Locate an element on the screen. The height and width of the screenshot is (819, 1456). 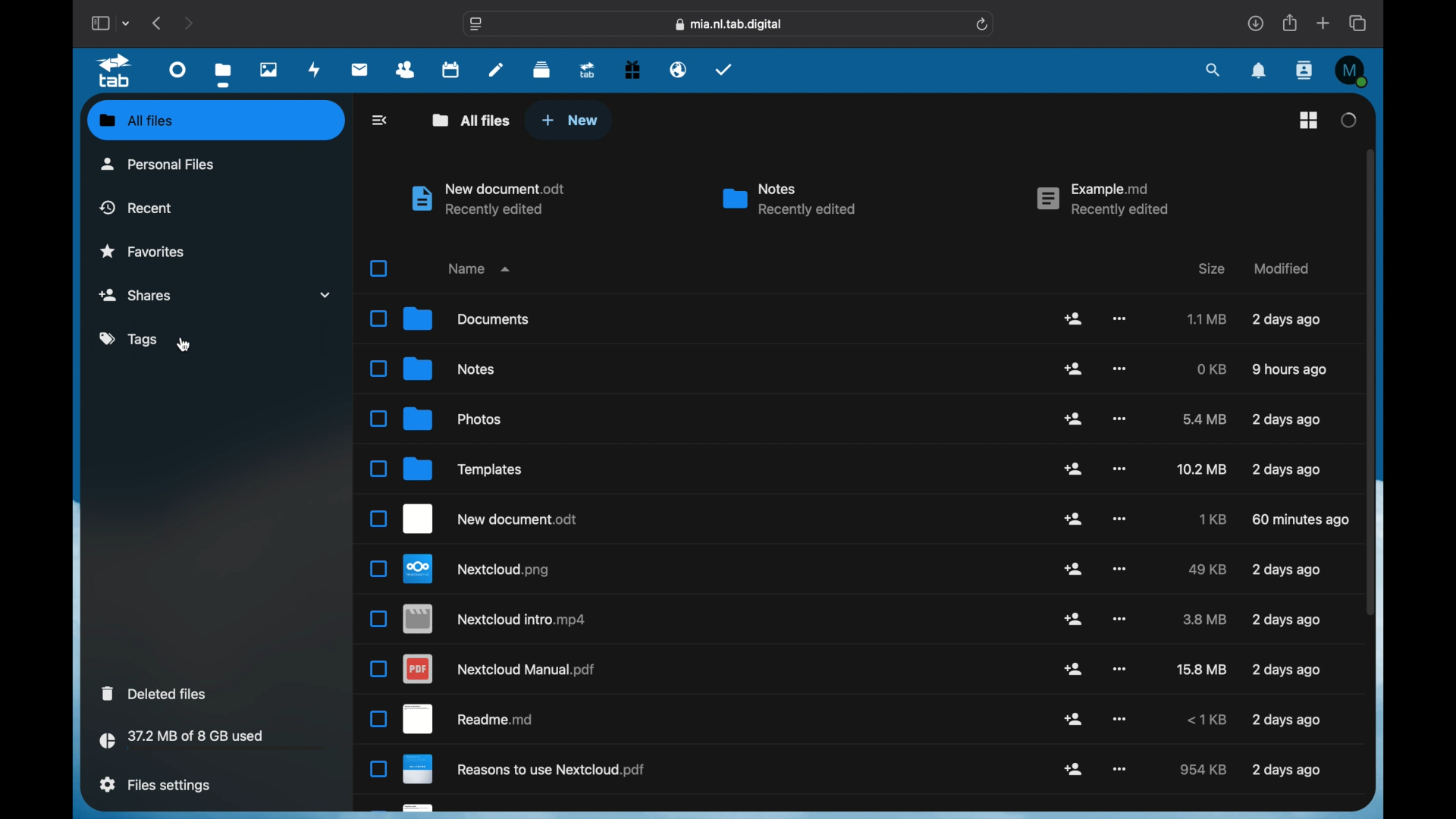
obscure icon is located at coordinates (406, 809).